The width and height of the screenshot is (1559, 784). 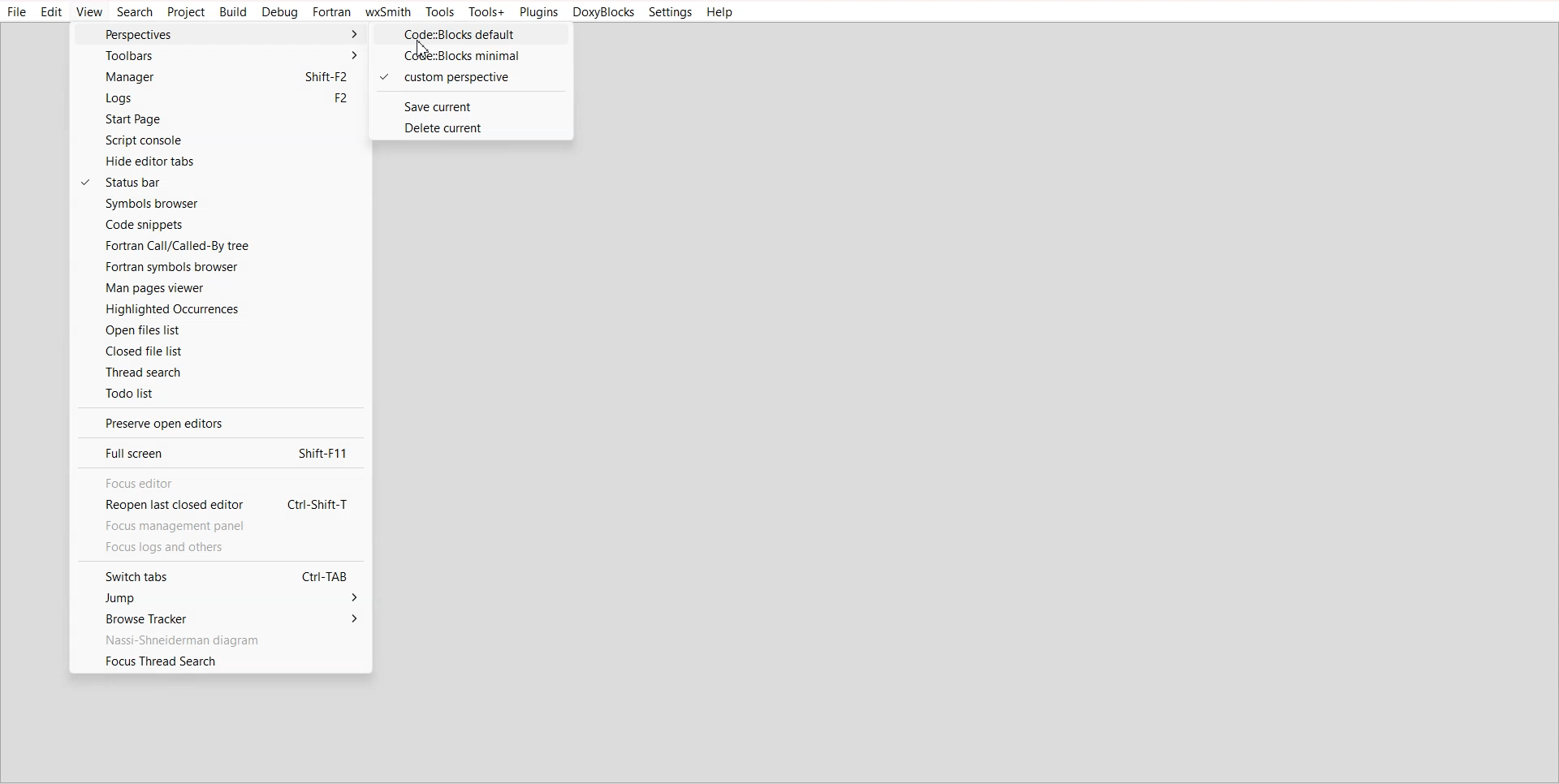 What do you see at coordinates (472, 34) in the screenshot?
I see `CODE::BLOCK default` at bounding box center [472, 34].